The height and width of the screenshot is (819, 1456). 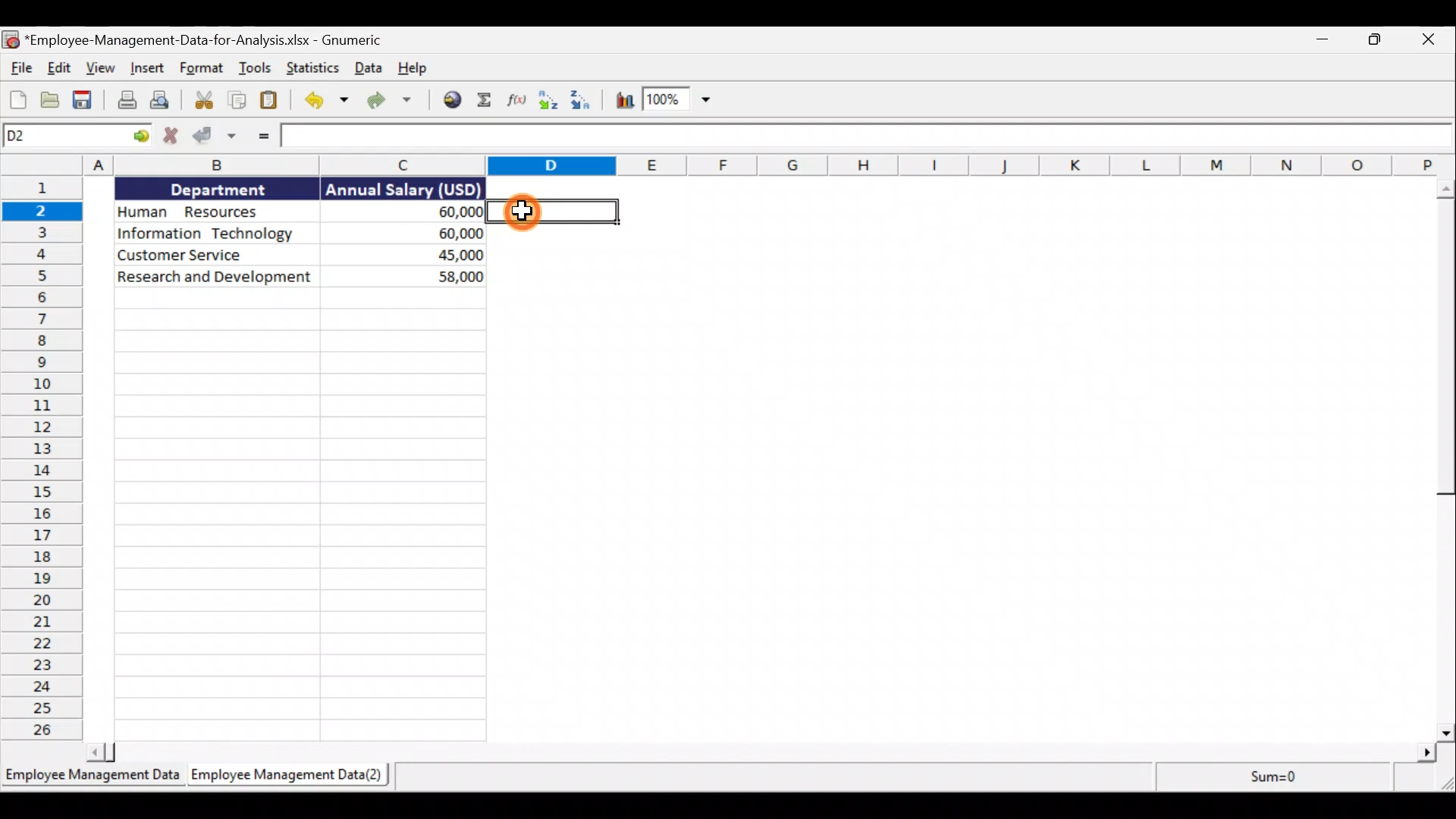 I want to click on Insert a chart, so click(x=625, y=101).